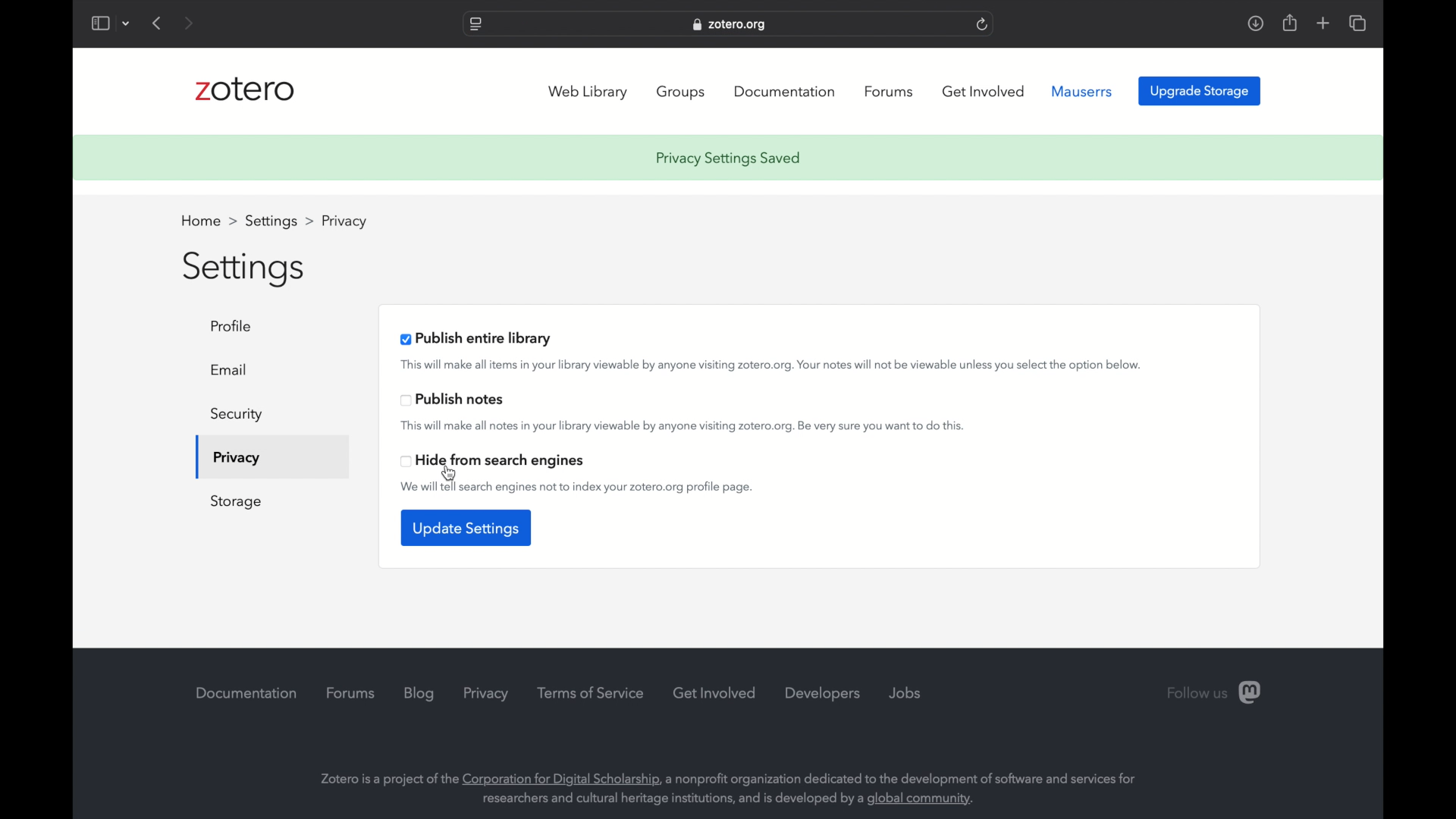 Image resolution: width=1456 pixels, height=819 pixels. What do you see at coordinates (344, 222) in the screenshot?
I see `profile` at bounding box center [344, 222].